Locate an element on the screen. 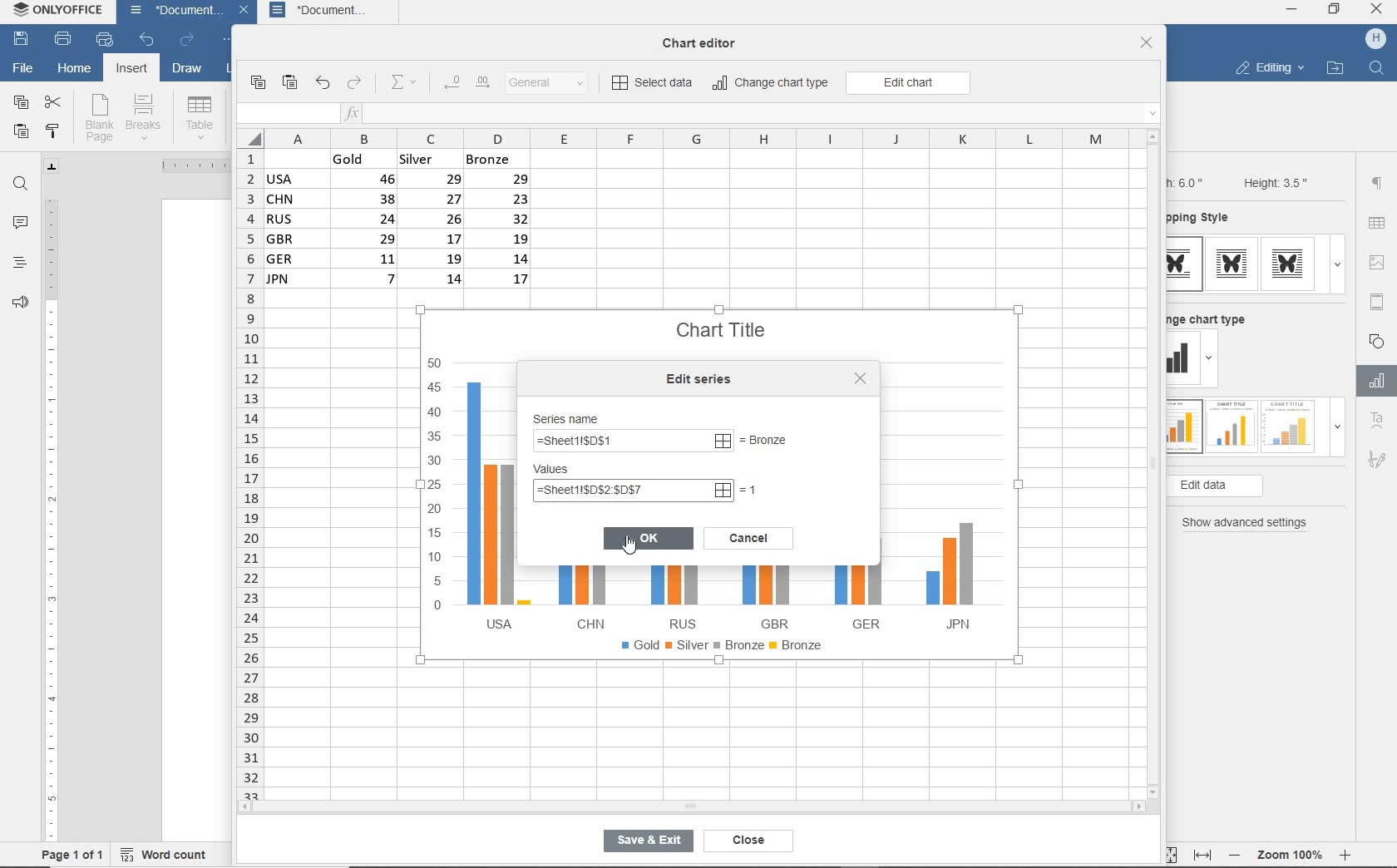 The height and width of the screenshot is (868, 1397). shape is located at coordinates (1379, 340).